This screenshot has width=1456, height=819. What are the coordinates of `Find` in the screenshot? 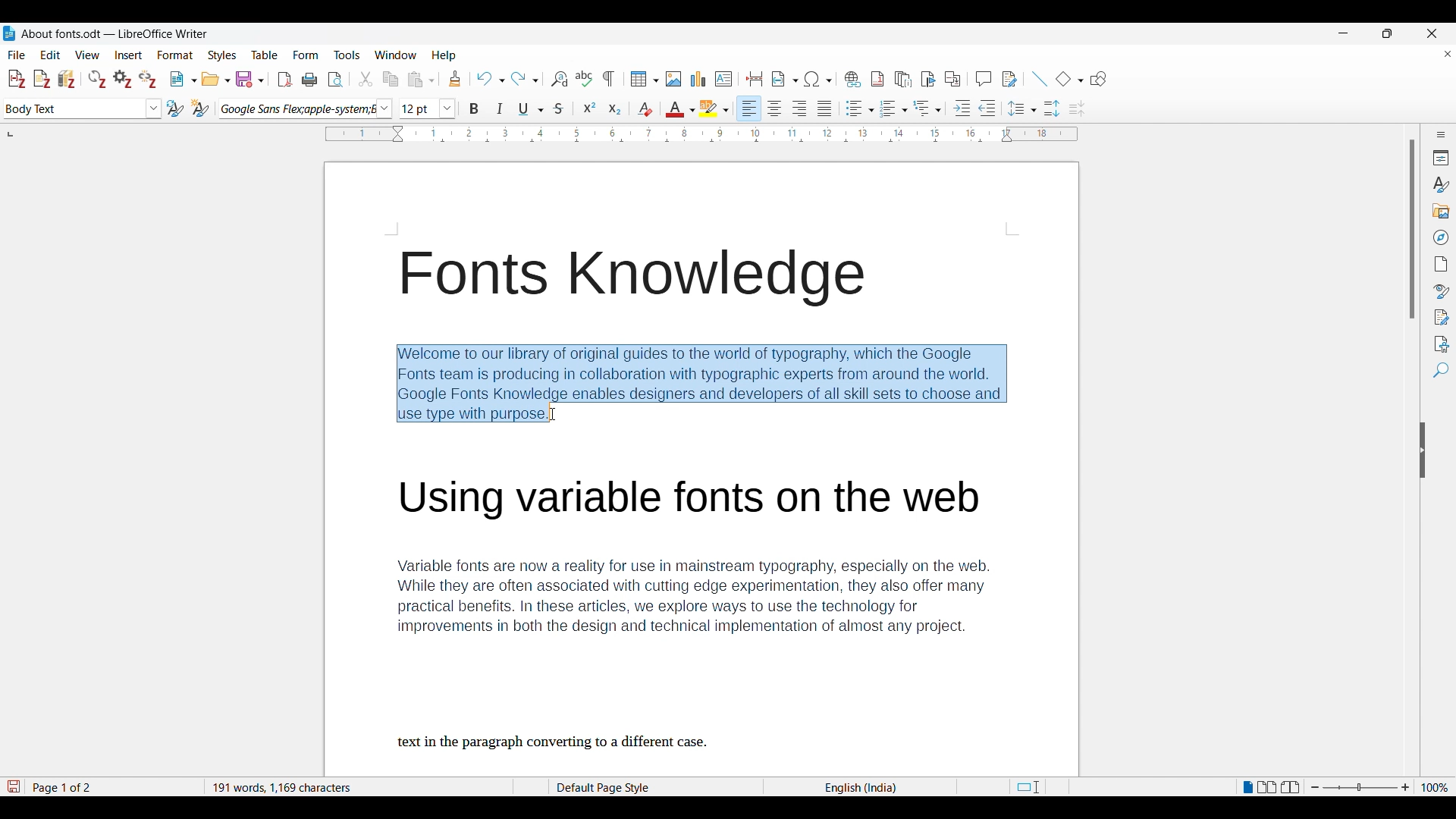 It's located at (1441, 370).